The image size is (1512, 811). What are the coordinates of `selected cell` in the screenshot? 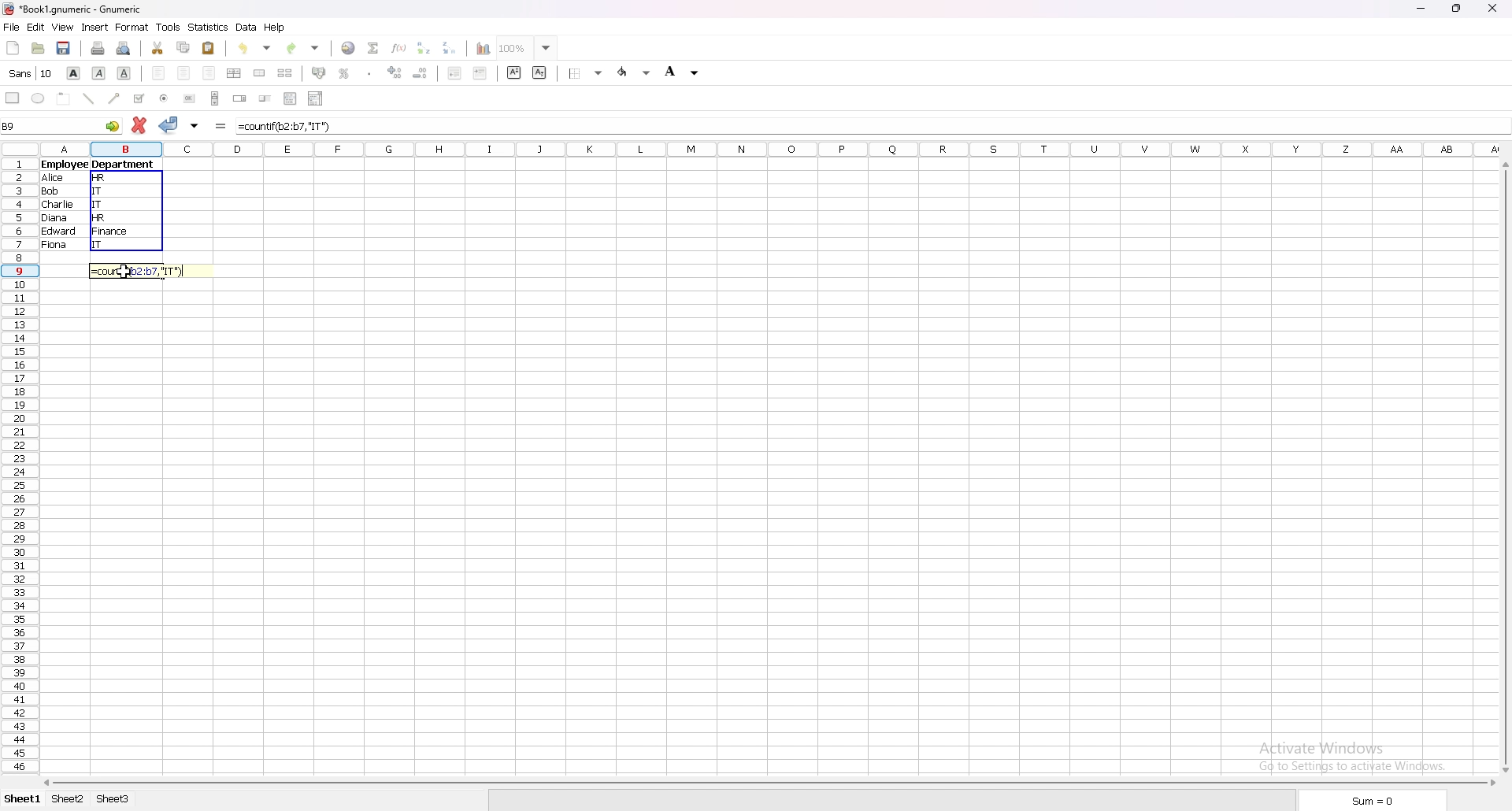 It's located at (62, 126).